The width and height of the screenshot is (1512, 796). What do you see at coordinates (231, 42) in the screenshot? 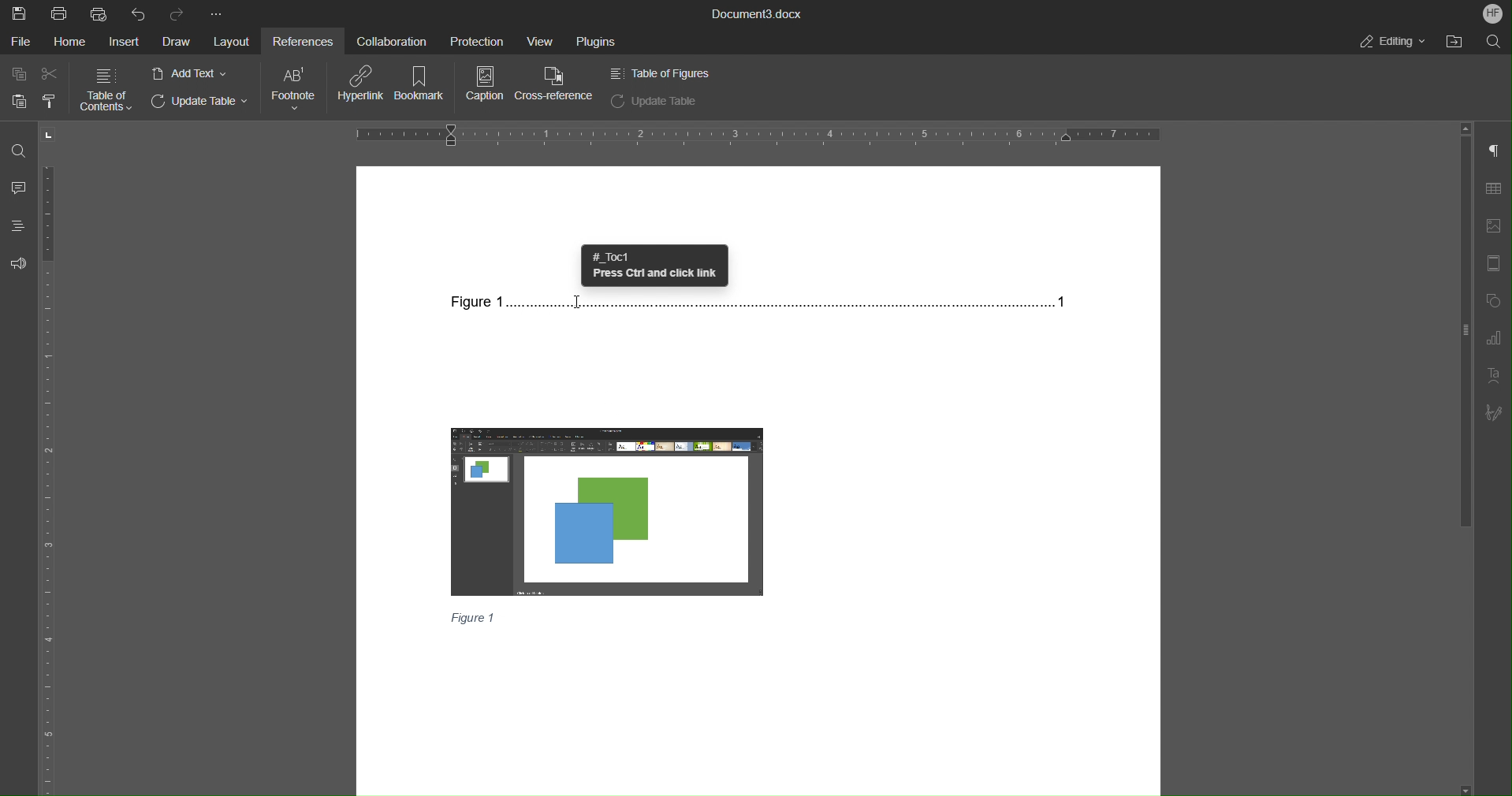
I see `Layout` at bounding box center [231, 42].